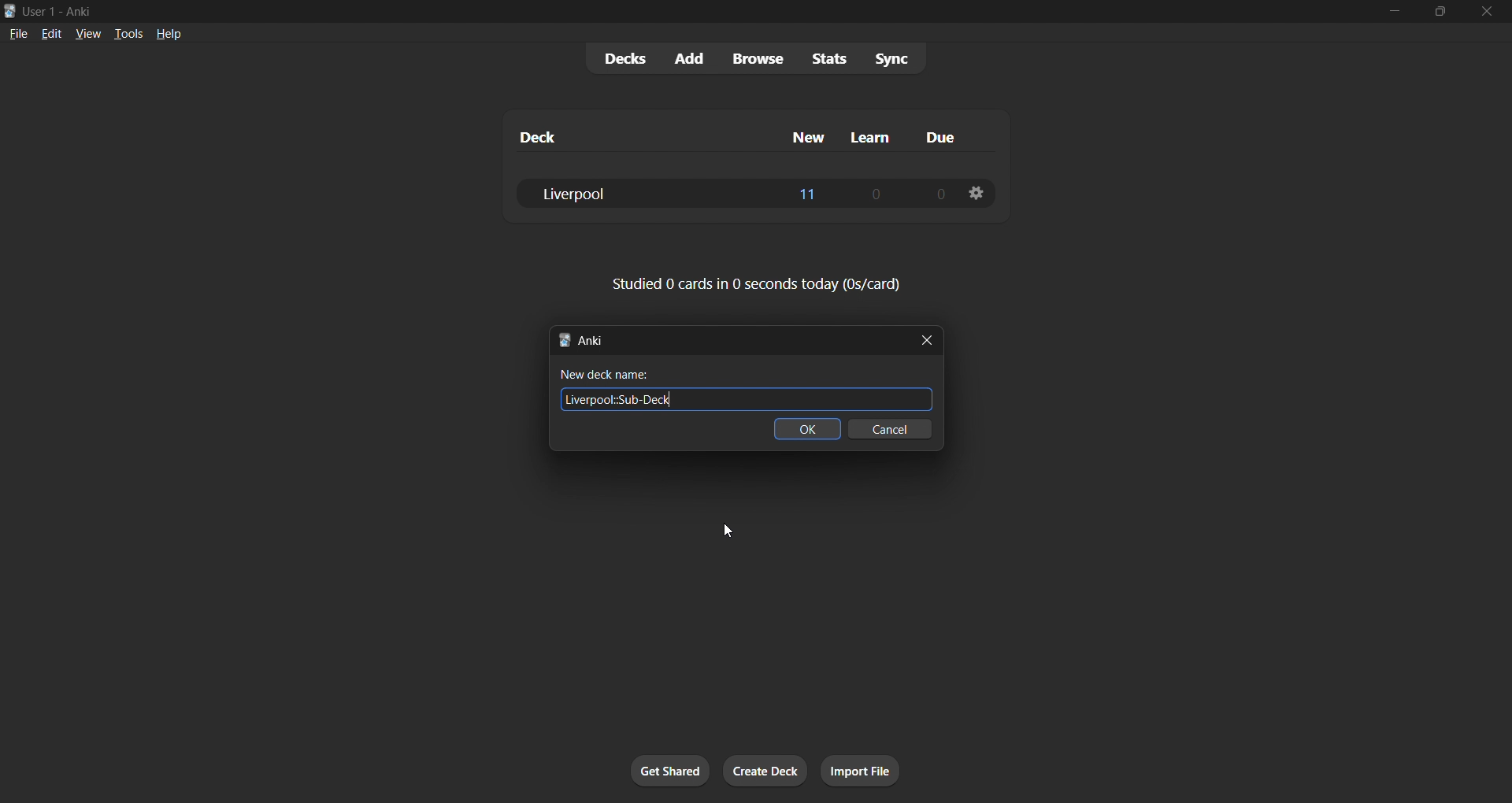 This screenshot has height=803, width=1512. Describe the element at coordinates (1443, 12) in the screenshot. I see `maximize/restore` at that location.